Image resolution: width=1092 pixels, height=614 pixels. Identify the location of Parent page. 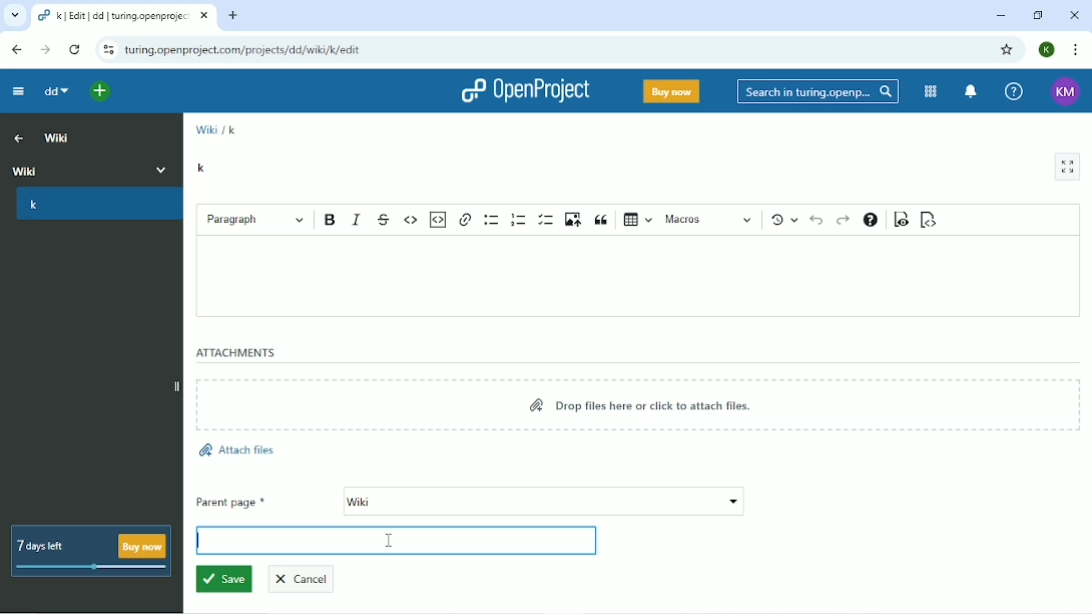
(470, 502).